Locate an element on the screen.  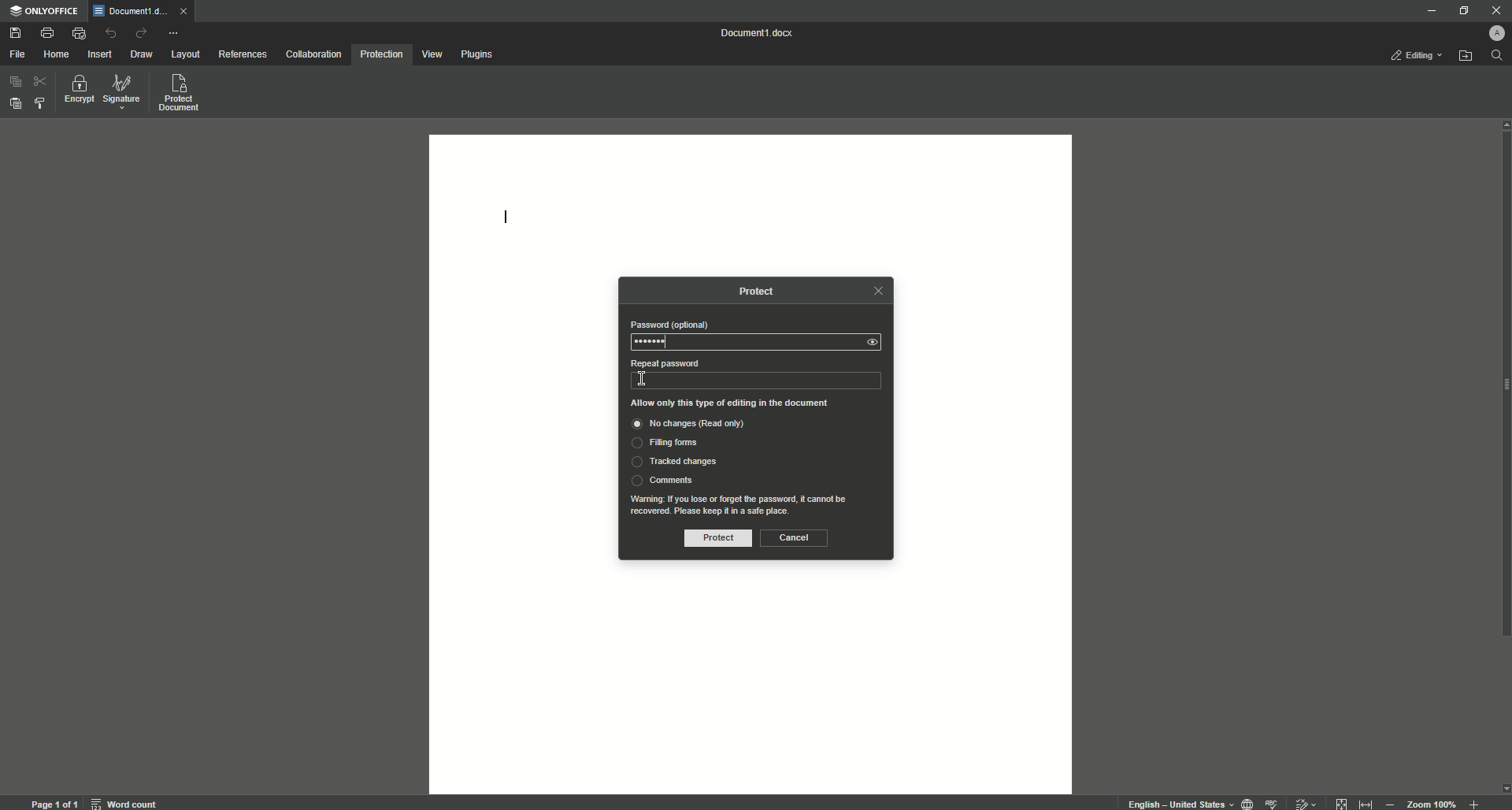
Open file location is located at coordinates (1466, 56).